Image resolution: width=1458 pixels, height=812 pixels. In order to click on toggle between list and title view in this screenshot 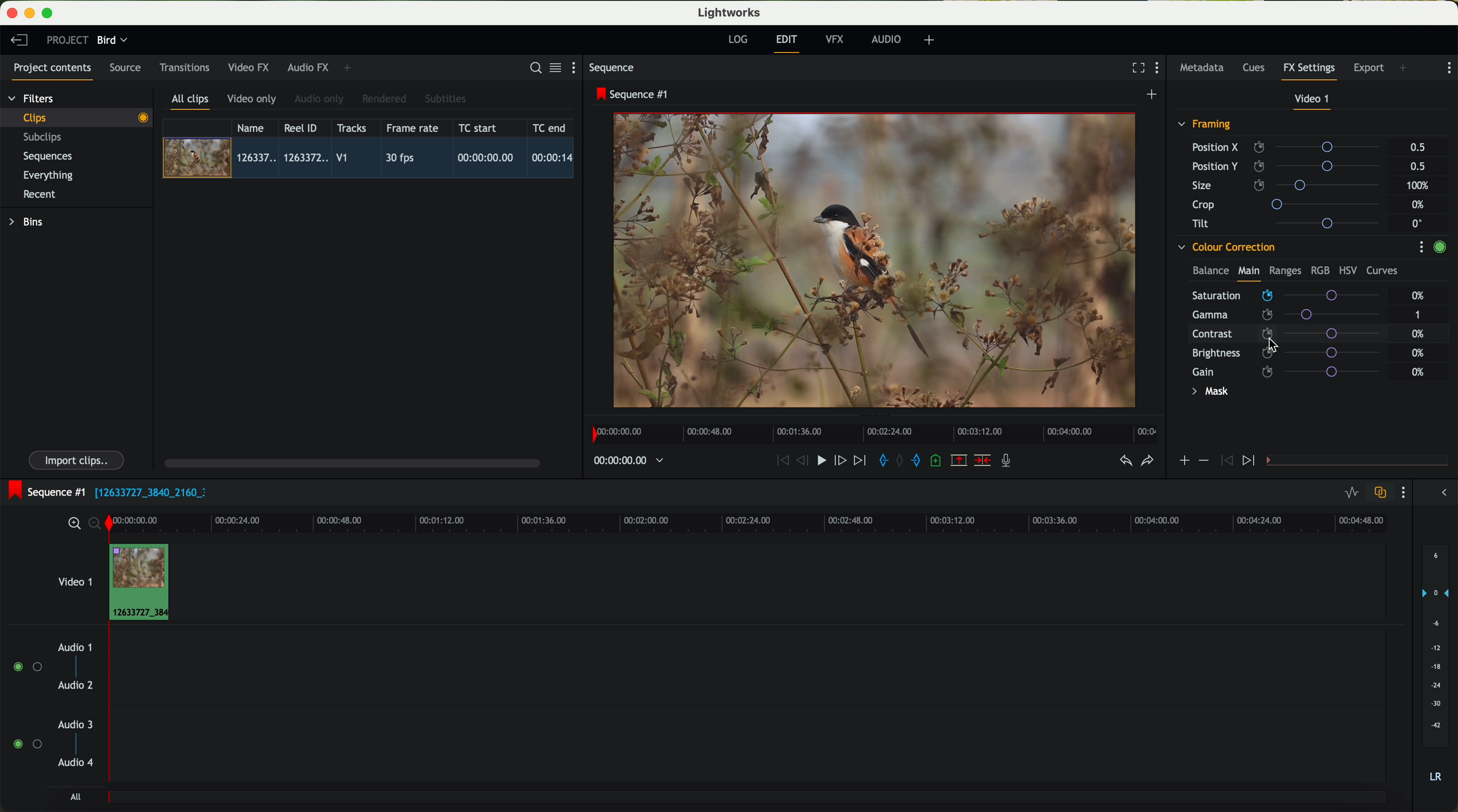, I will do `click(554, 67)`.